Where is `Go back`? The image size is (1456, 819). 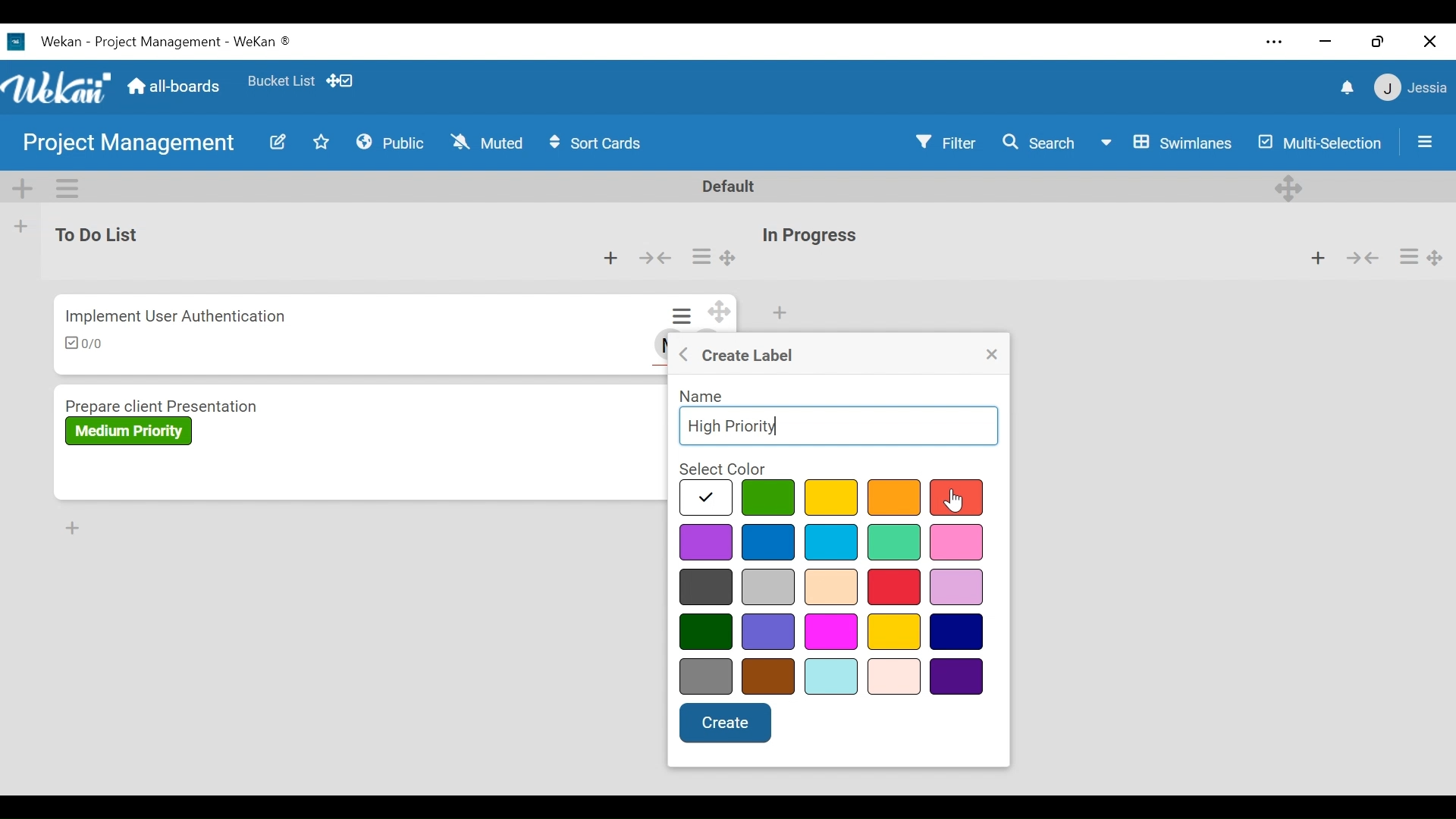
Go back is located at coordinates (686, 353).